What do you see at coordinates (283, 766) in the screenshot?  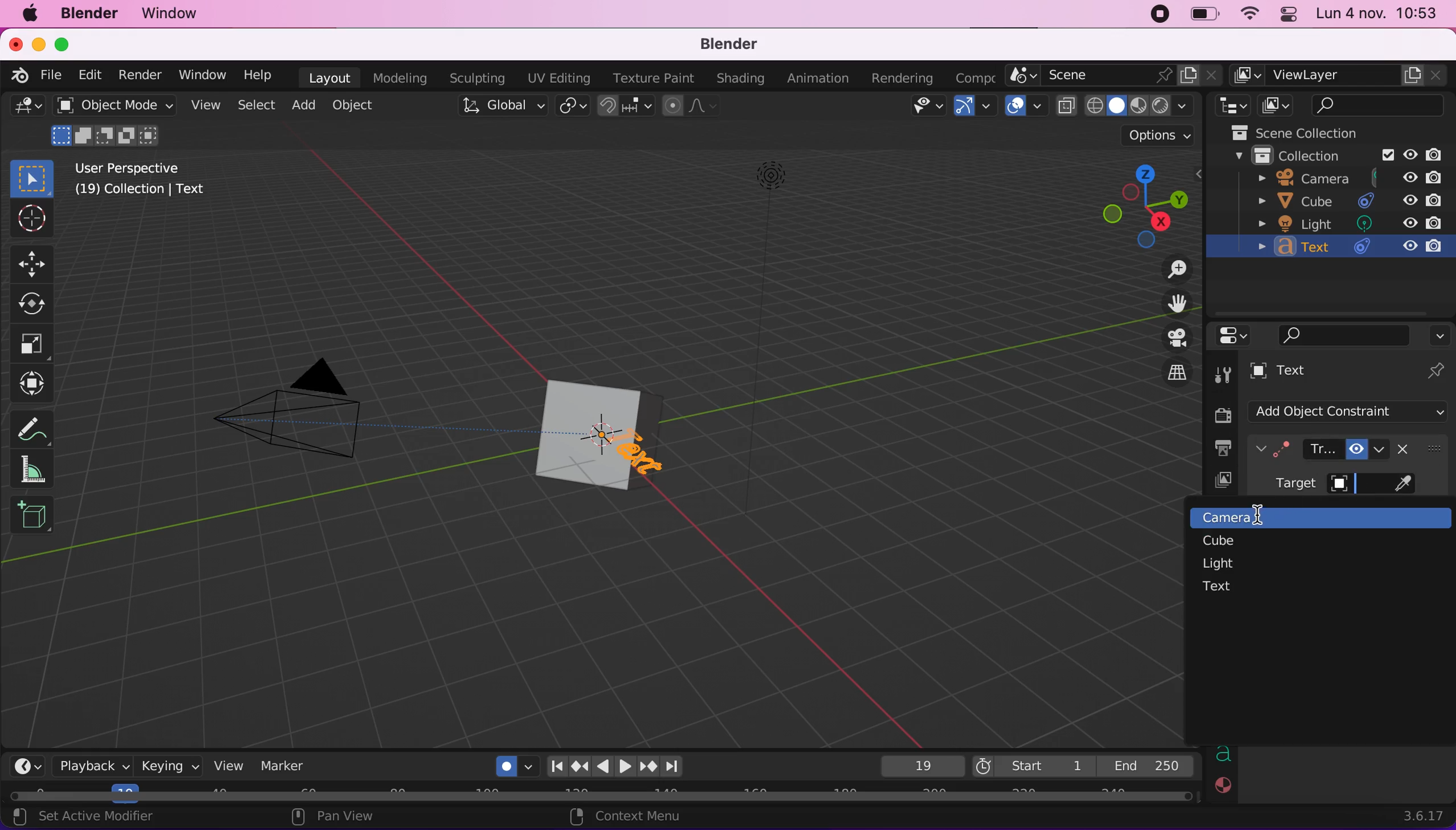 I see `marker` at bounding box center [283, 766].